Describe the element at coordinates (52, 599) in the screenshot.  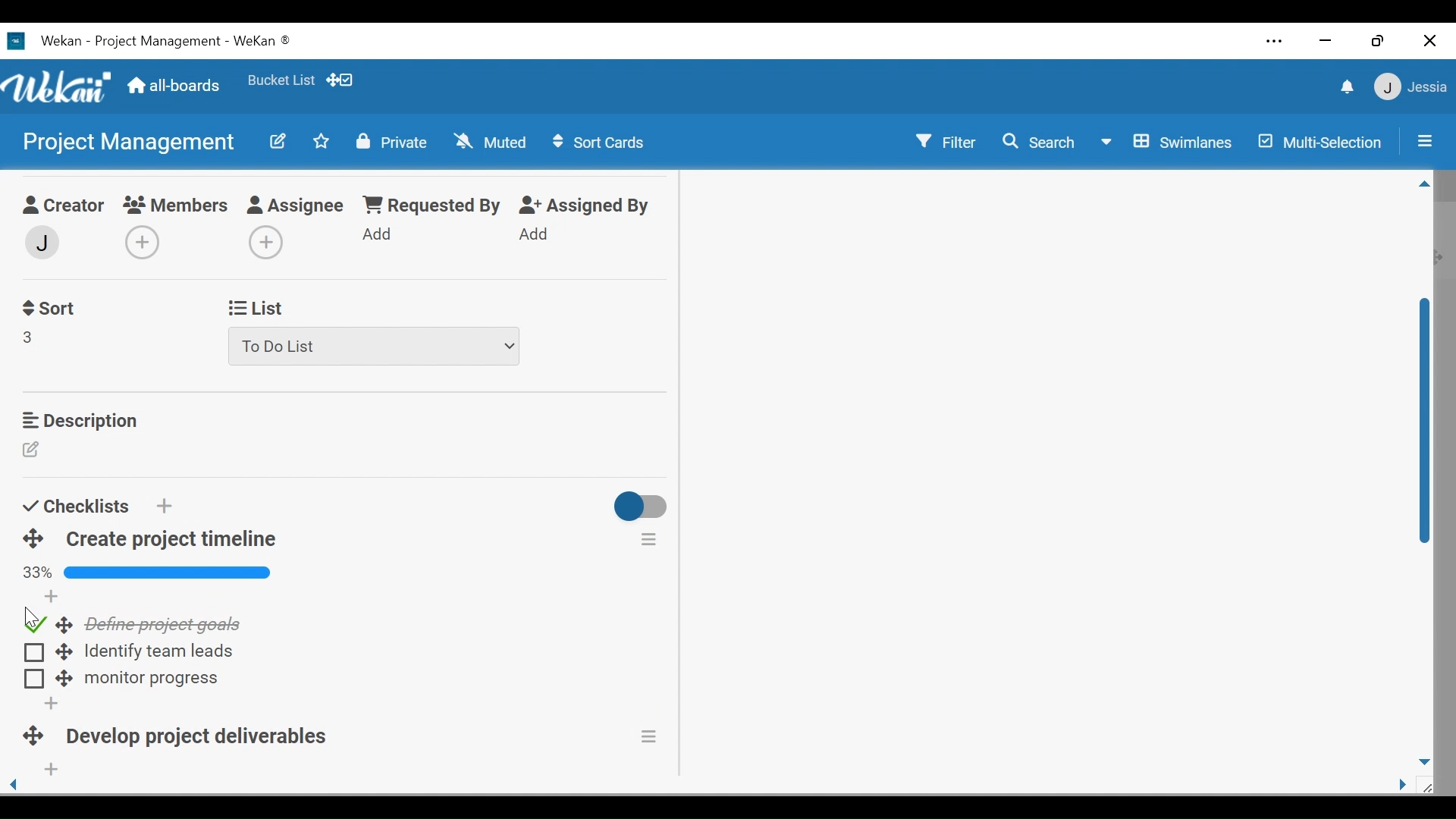
I see `add` at that location.